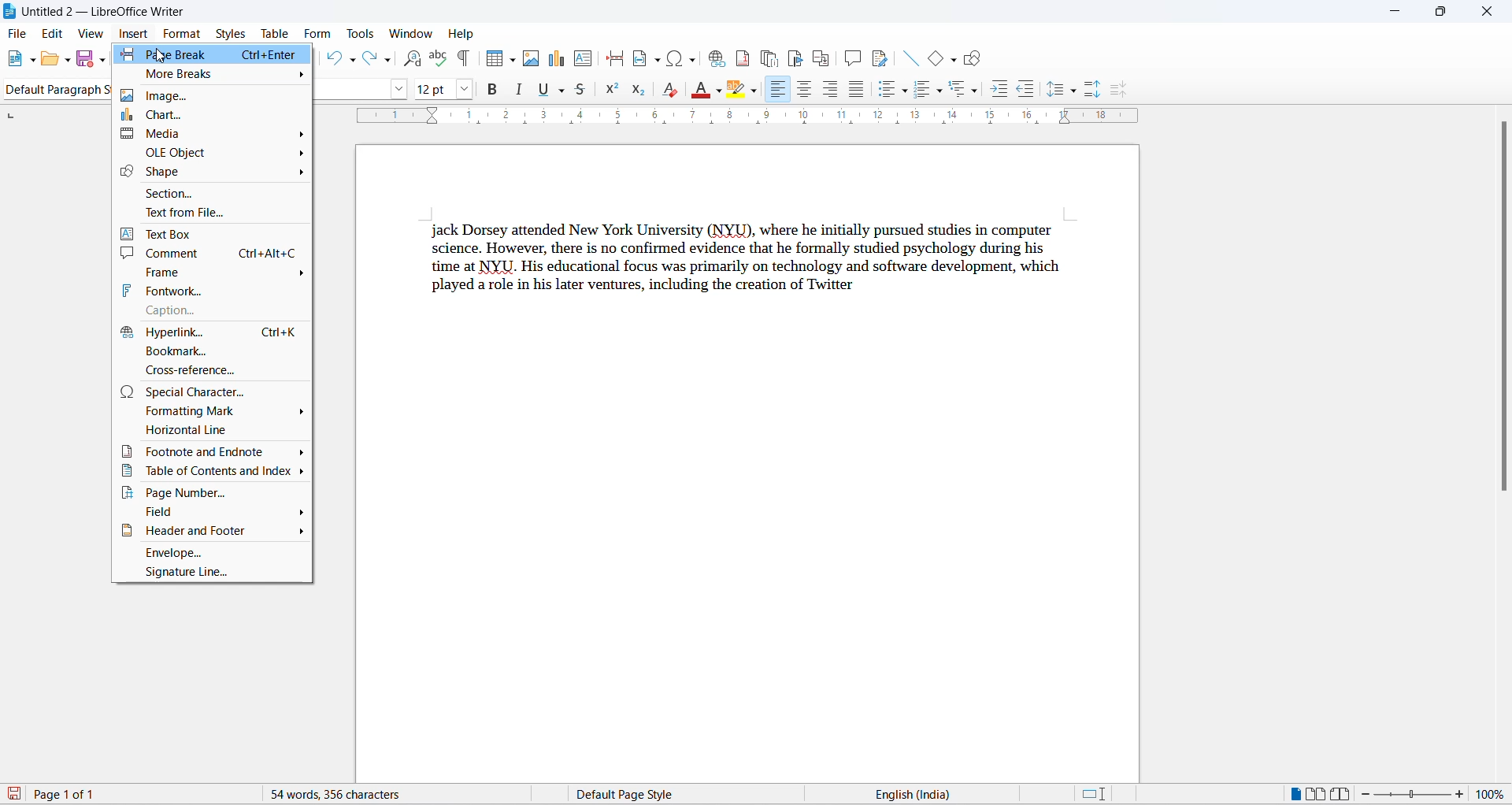 This screenshot has height=805, width=1512. What do you see at coordinates (213, 414) in the screenshot?
I see `formatting mark` at bounding box center [213, 414].